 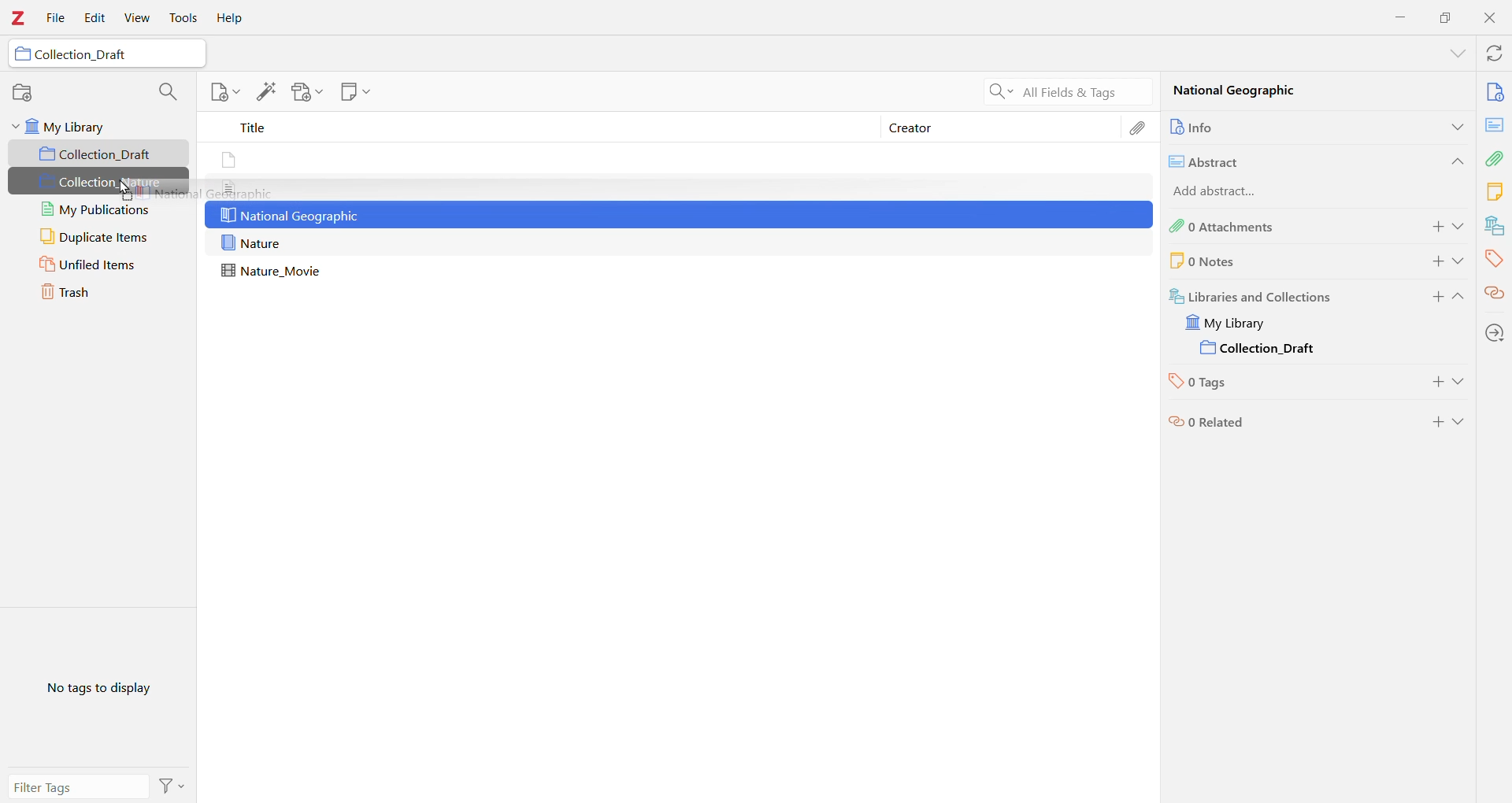 What do you see at coordinates (1495, 191) in the screenshot?
I see `Notes` at bounding box center [1495, 191].